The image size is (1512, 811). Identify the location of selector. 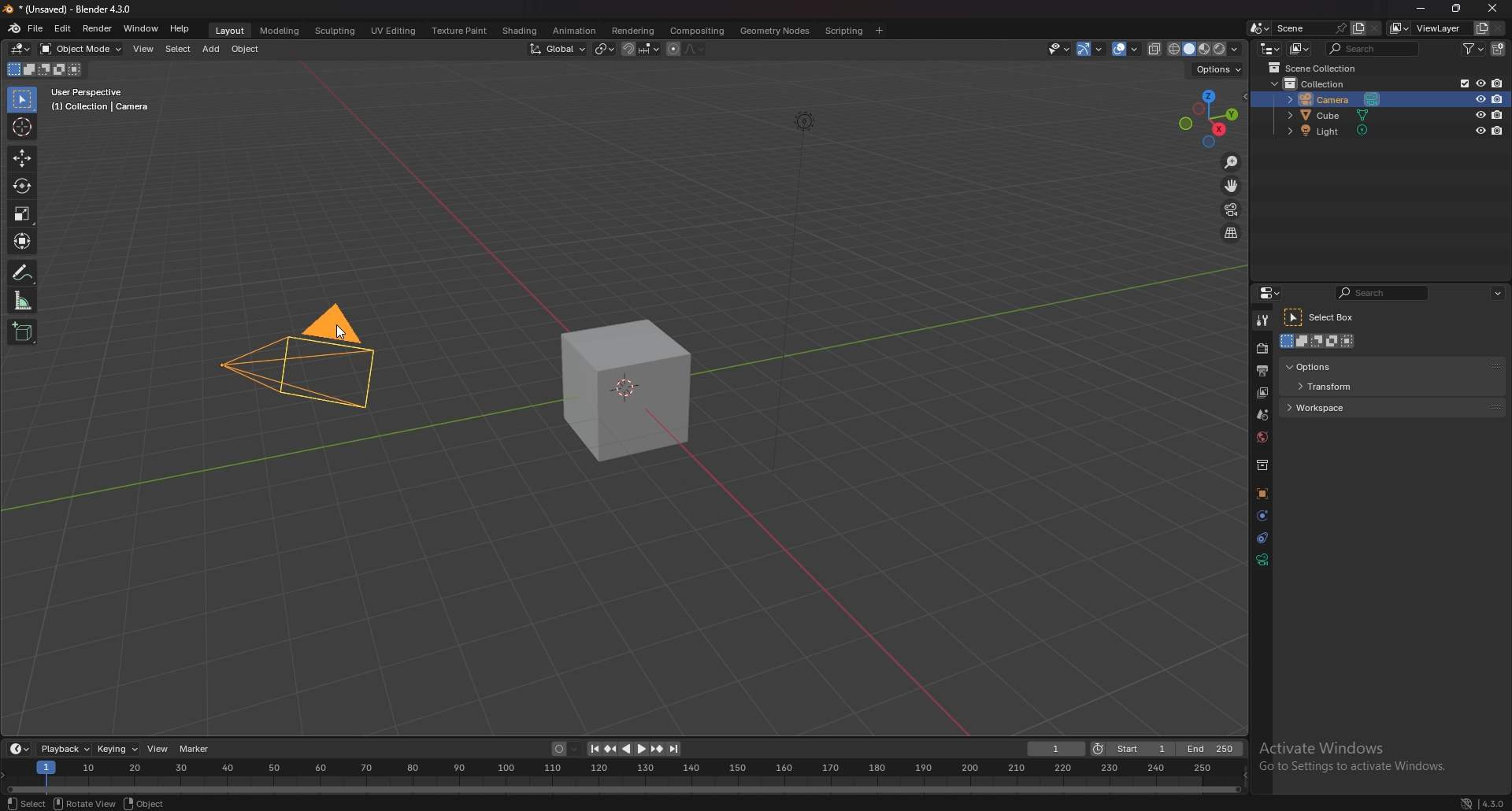
(22, 100).